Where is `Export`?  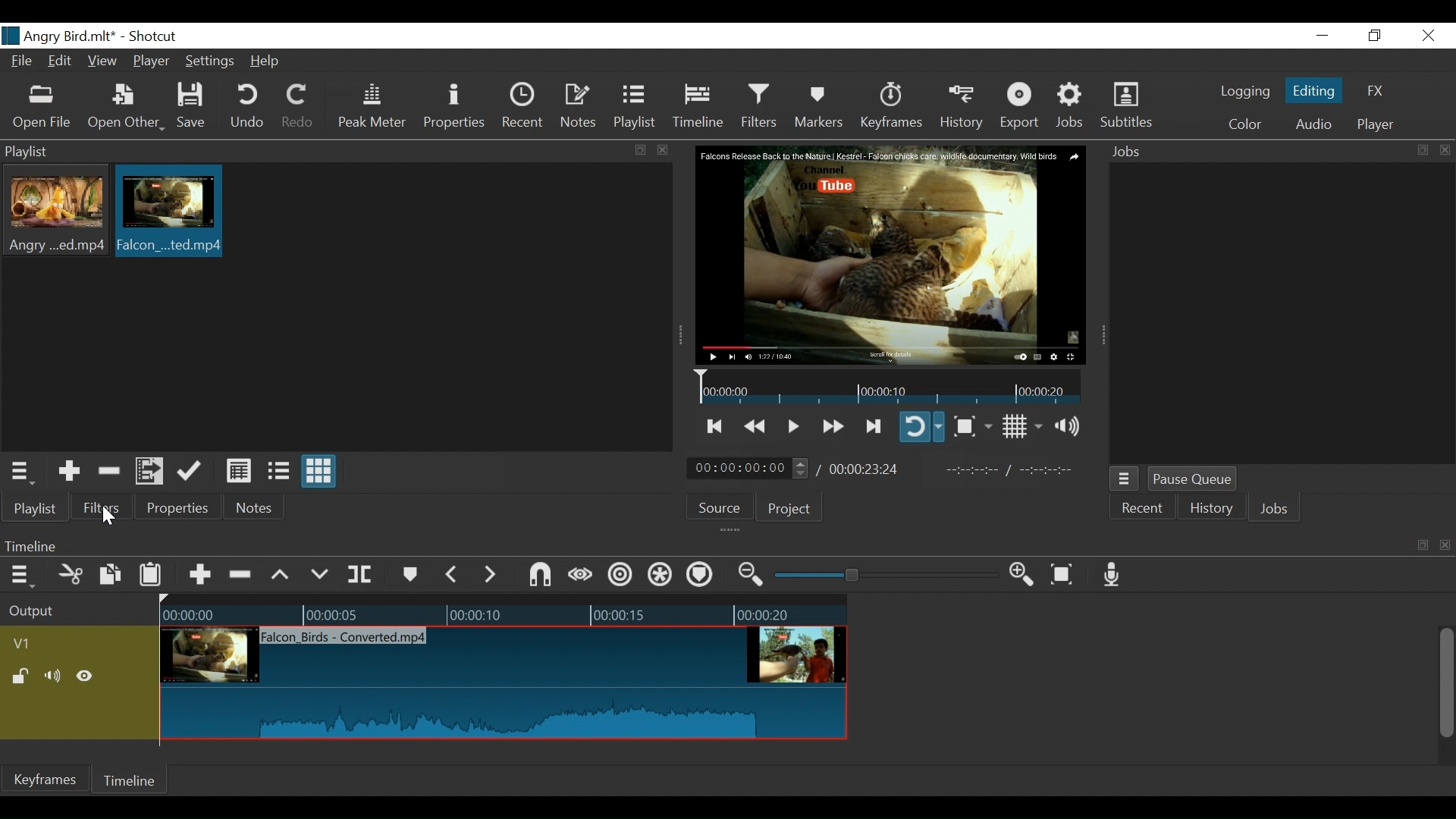 Export is located at coordinates (1020, 107).